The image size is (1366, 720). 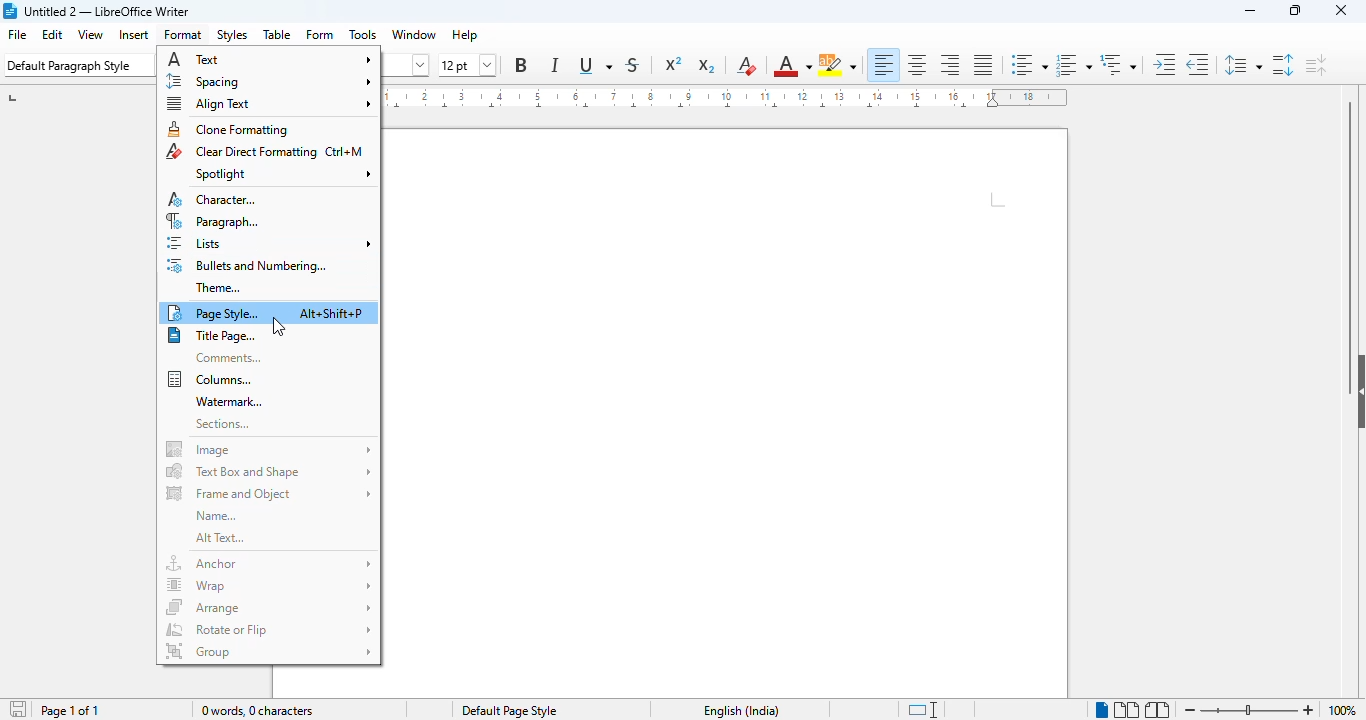 What do you see at coordinates (1284, 65) in the screenshot?
I see `increase paragraph spacing` at bounding box center [1284, 65].